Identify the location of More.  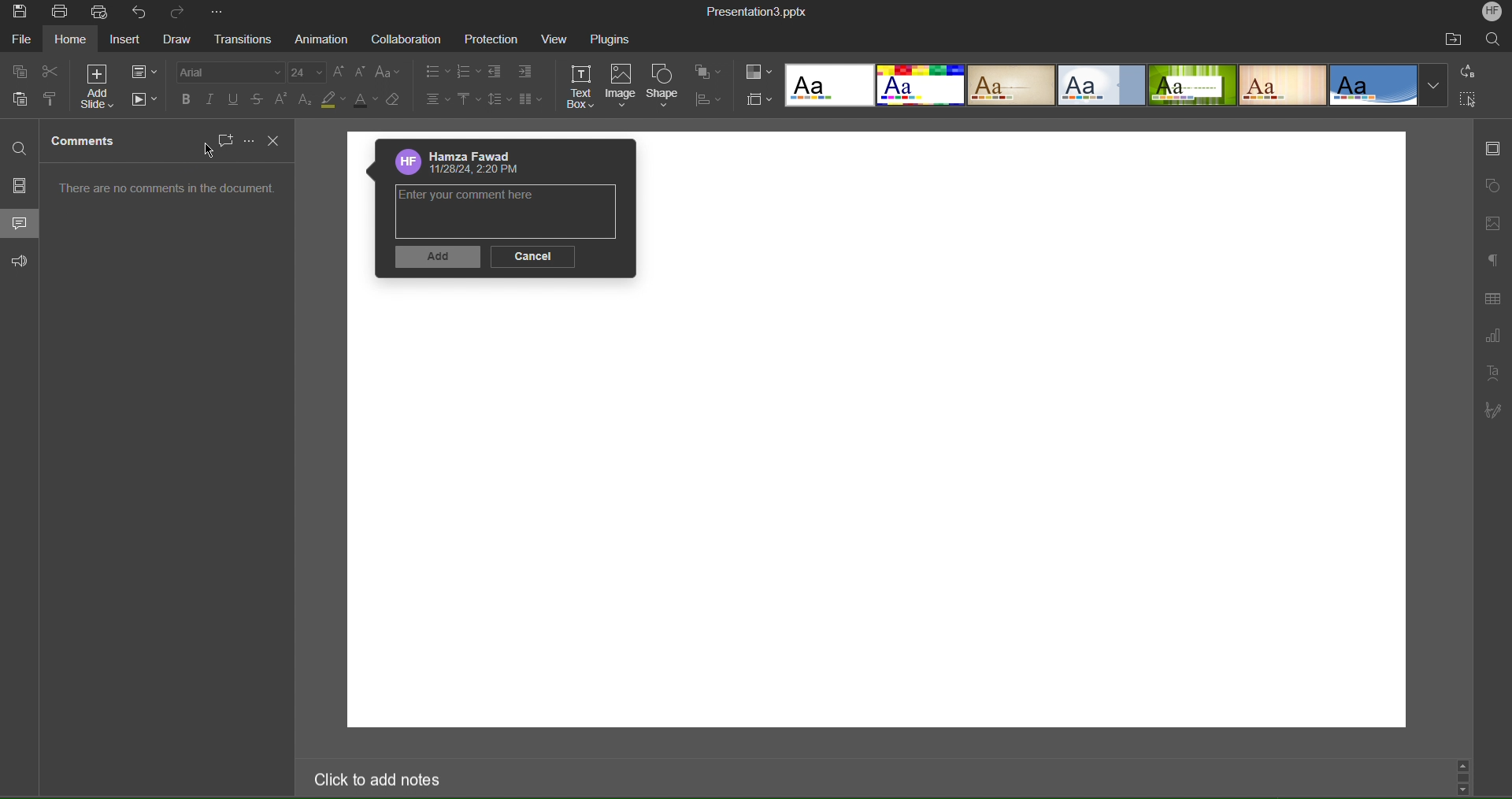
(246, 139).